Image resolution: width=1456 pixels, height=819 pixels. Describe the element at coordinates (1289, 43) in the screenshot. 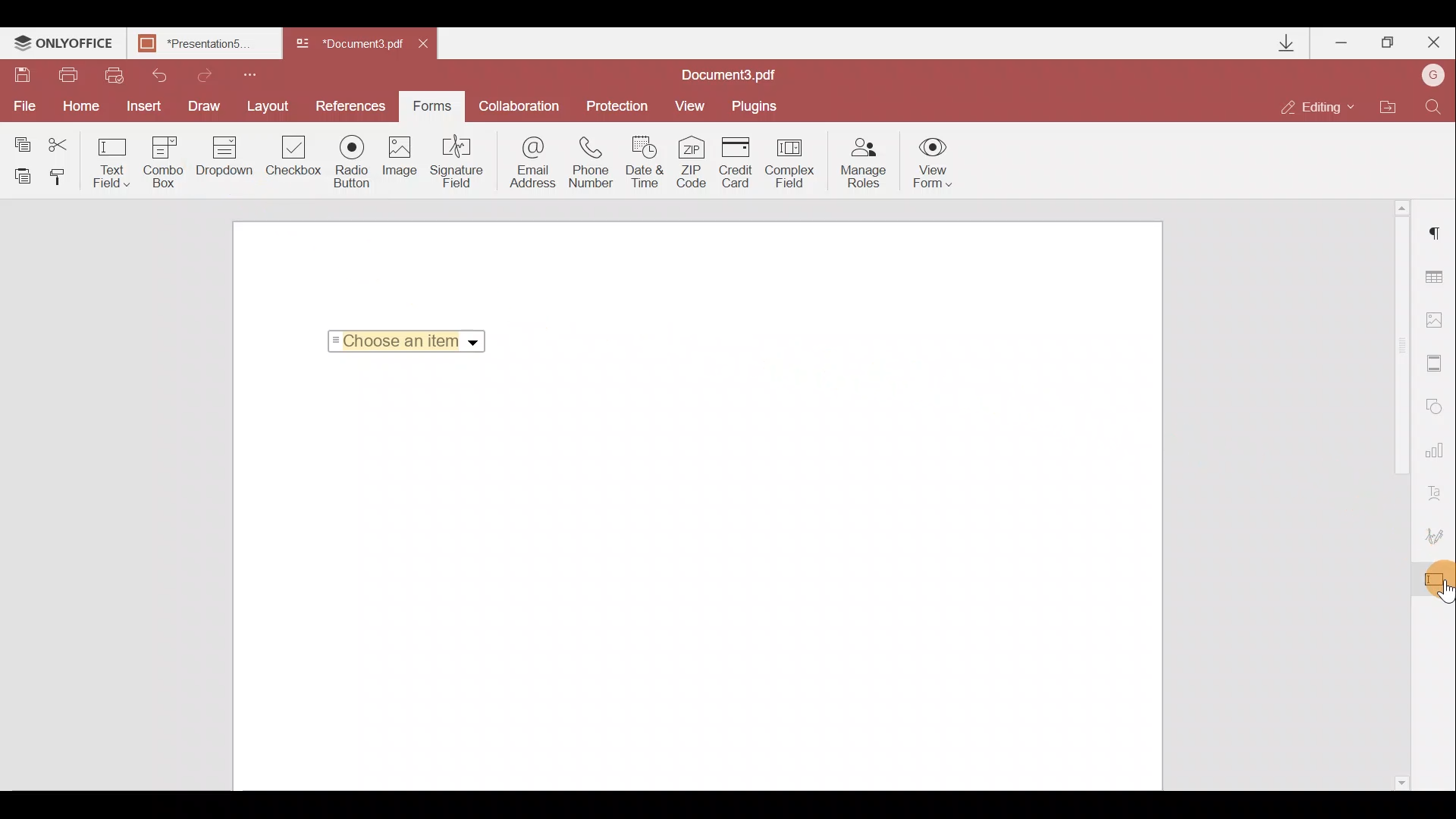

I see `Downloads` at that location.